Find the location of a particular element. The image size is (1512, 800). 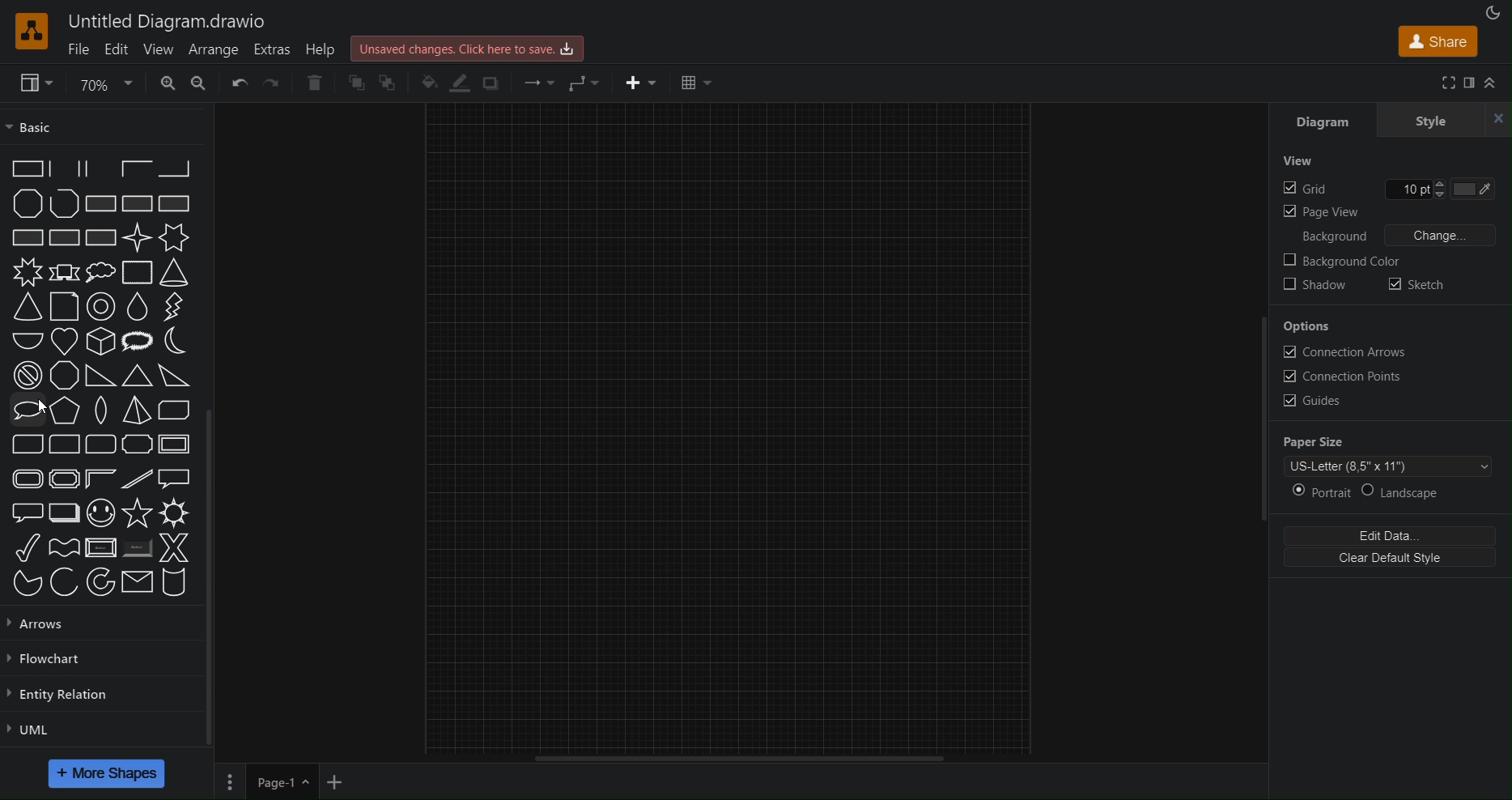

Shadow is located at coordinates (494, 83).